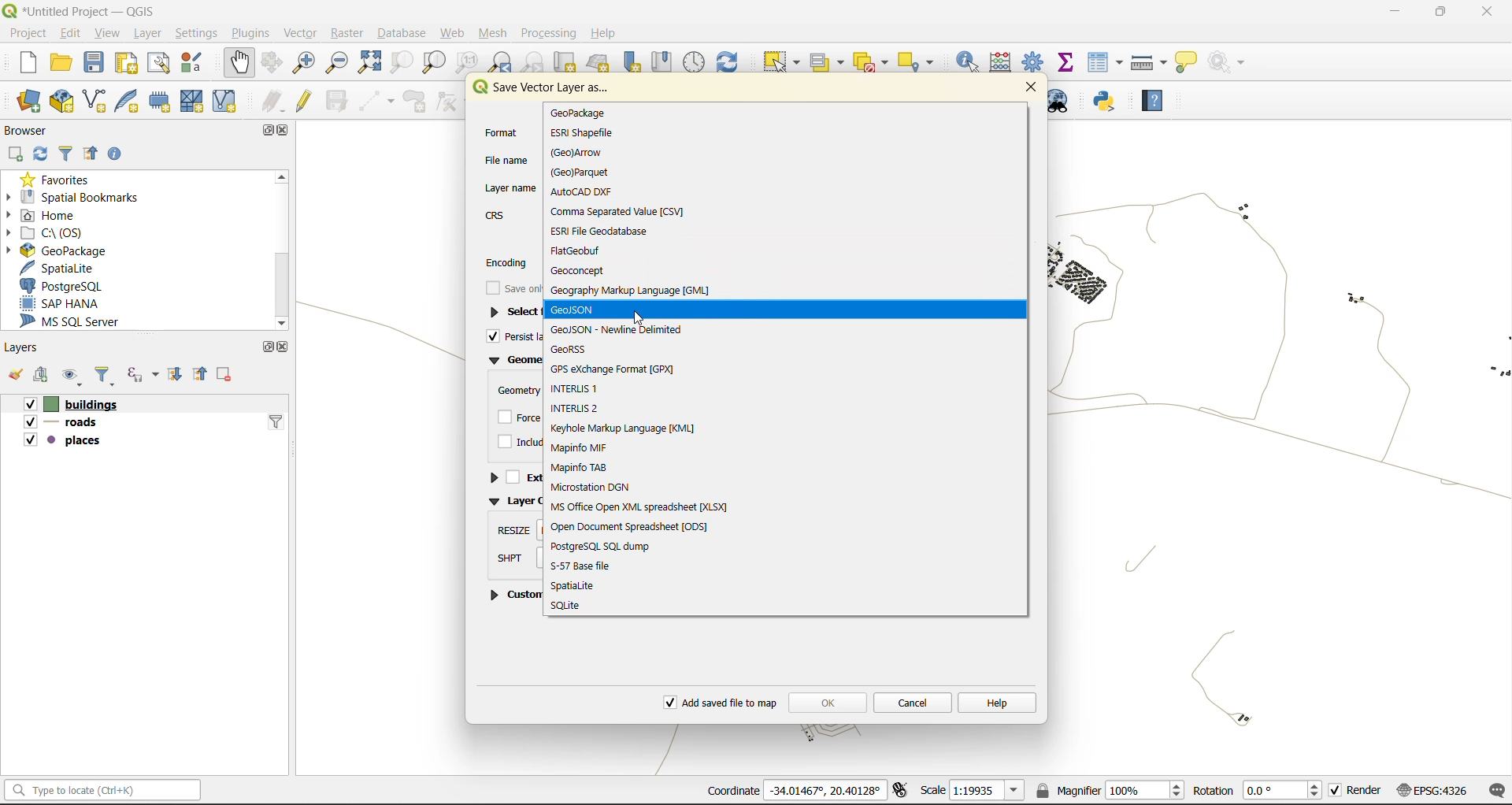 Image resolution: width=1512 pixels, height=805 pixels. I want to click on magnifier, so click(1109, 792).